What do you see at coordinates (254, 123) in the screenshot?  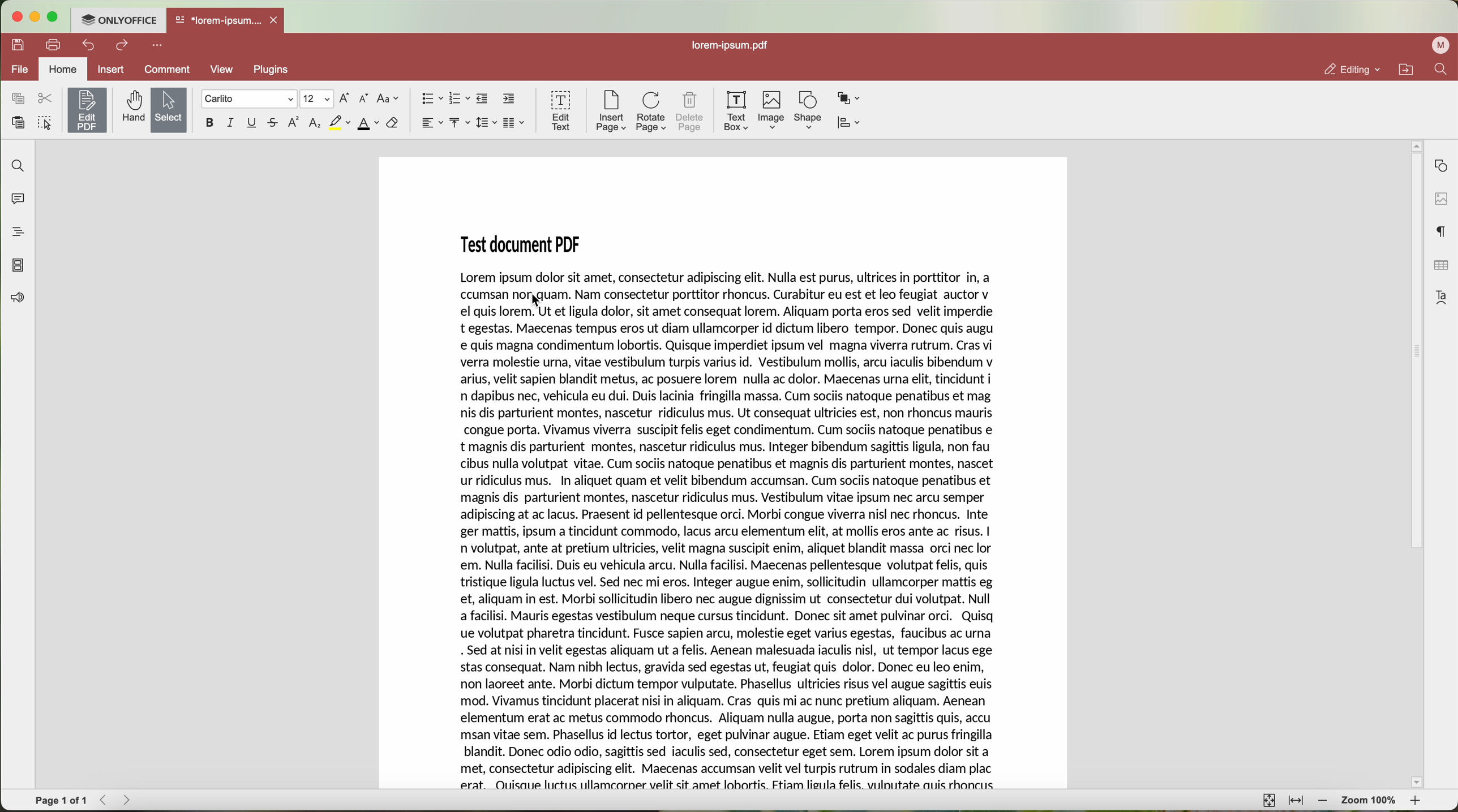 I see `underline` at bounding box center [254, 123].